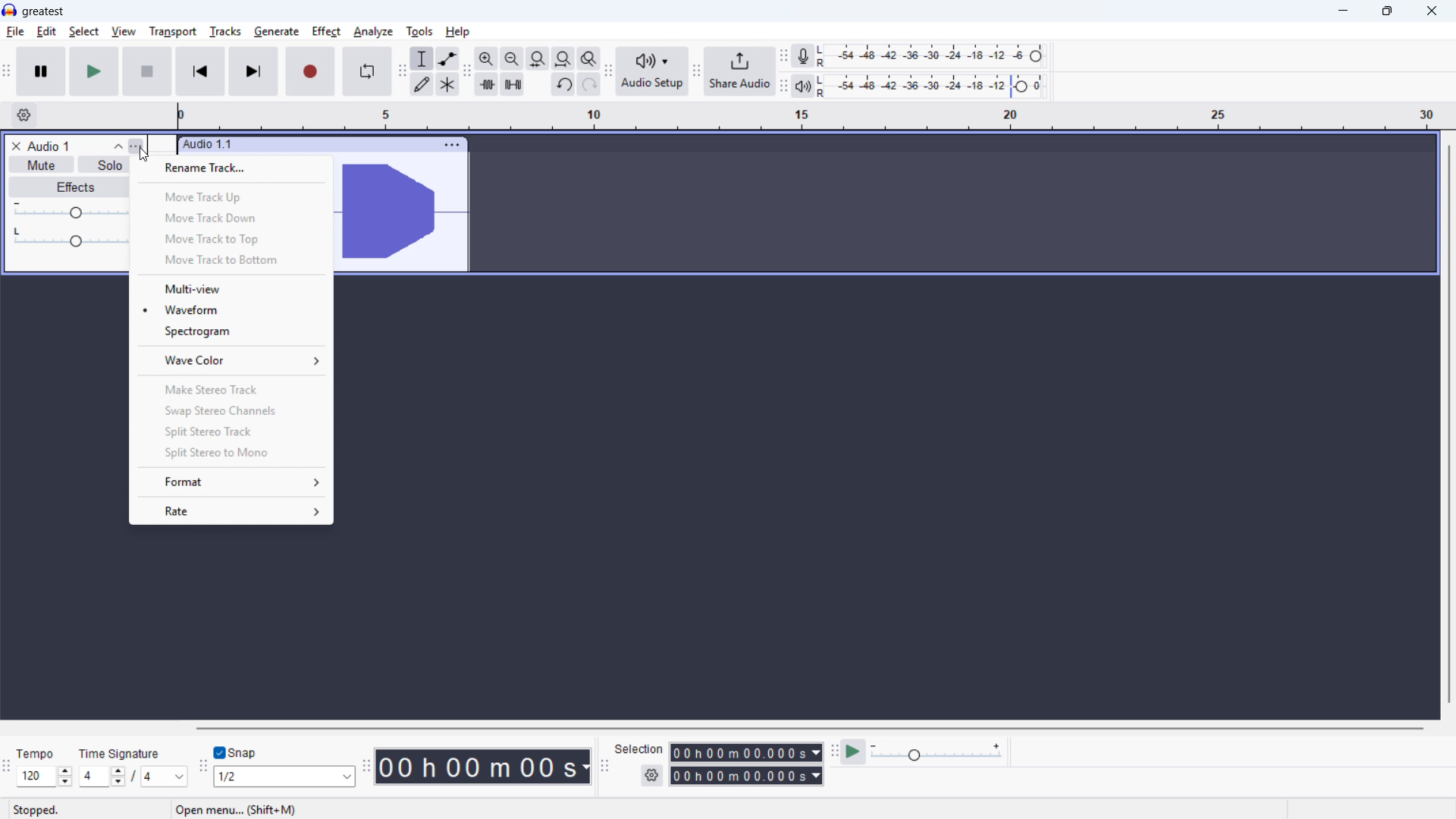  What do you see at coordinates (232, 309) in the screenshot?
I see `Wave form ` at bounding box center [232, 309].